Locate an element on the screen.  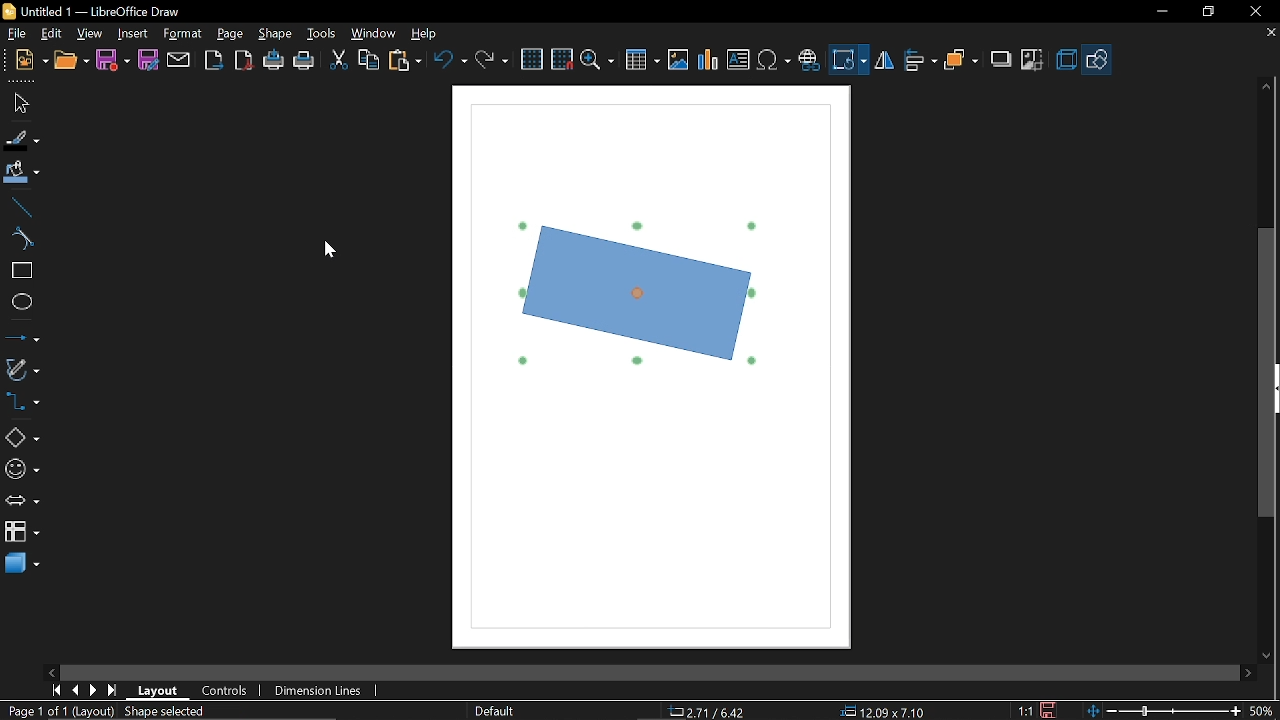
go to last page is located at coordinates (114, 691).